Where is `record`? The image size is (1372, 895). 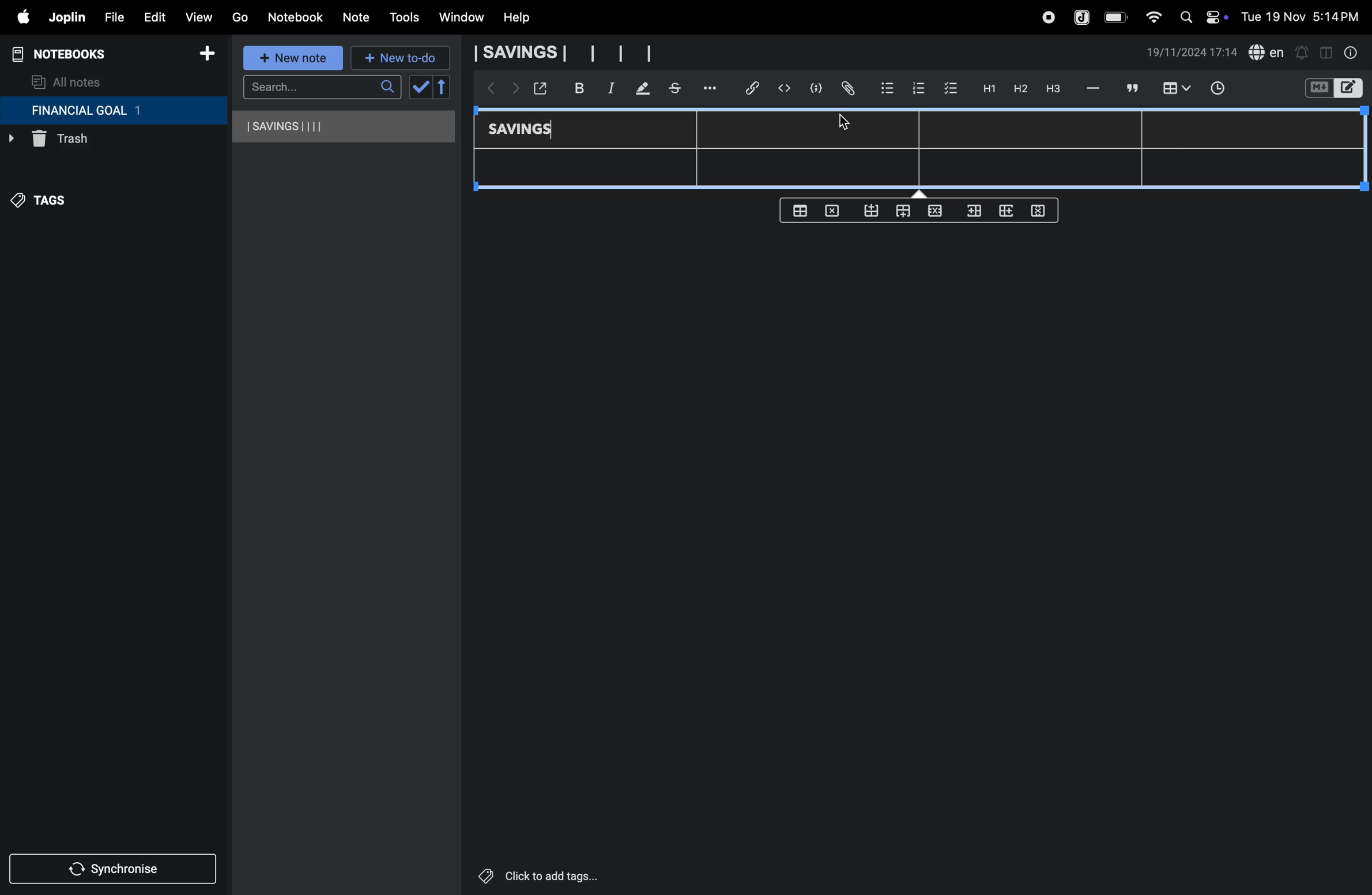 record is located at coordinates (1047, 17).